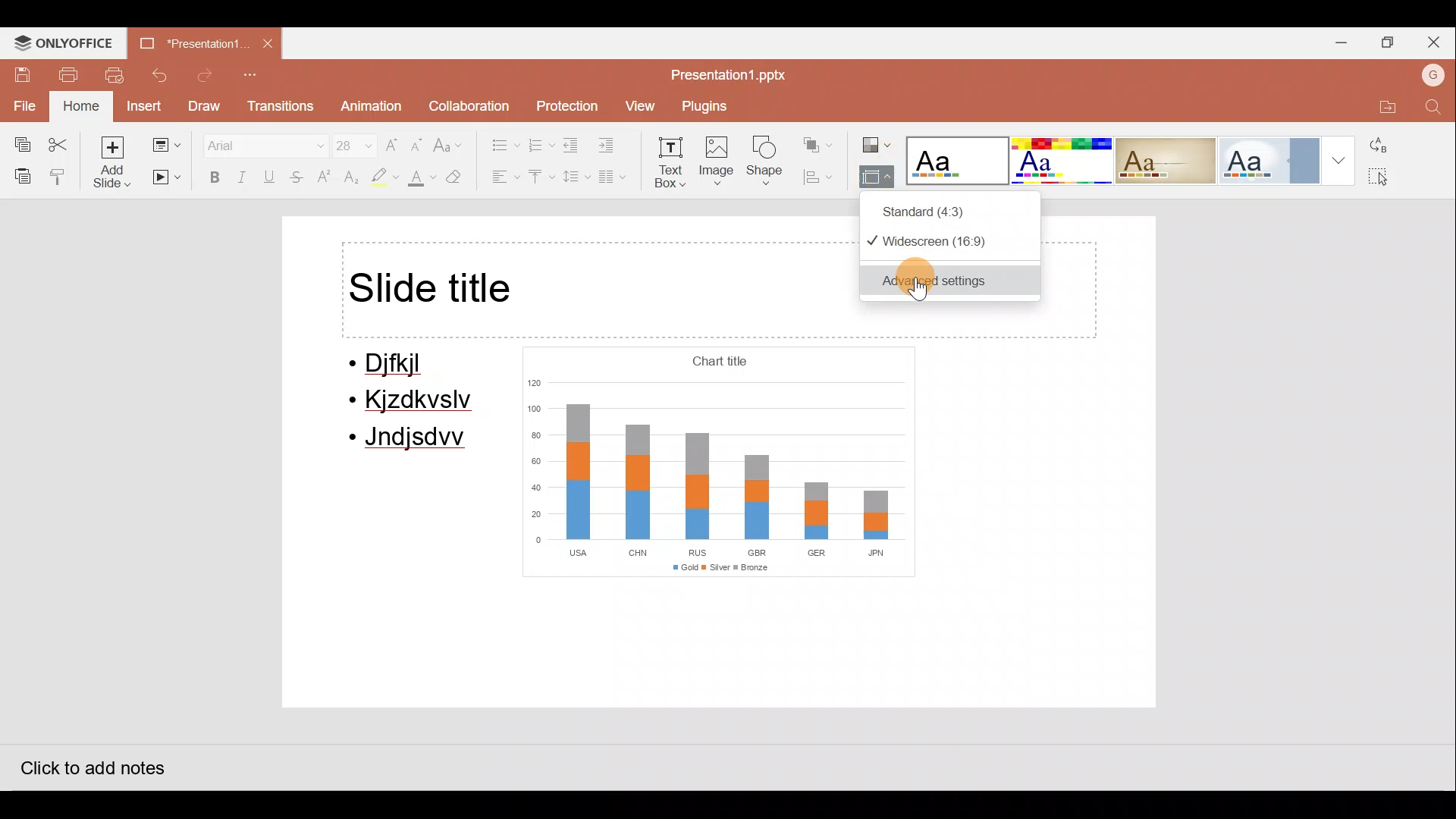  I want to click on More theme, so click(1337, 159).